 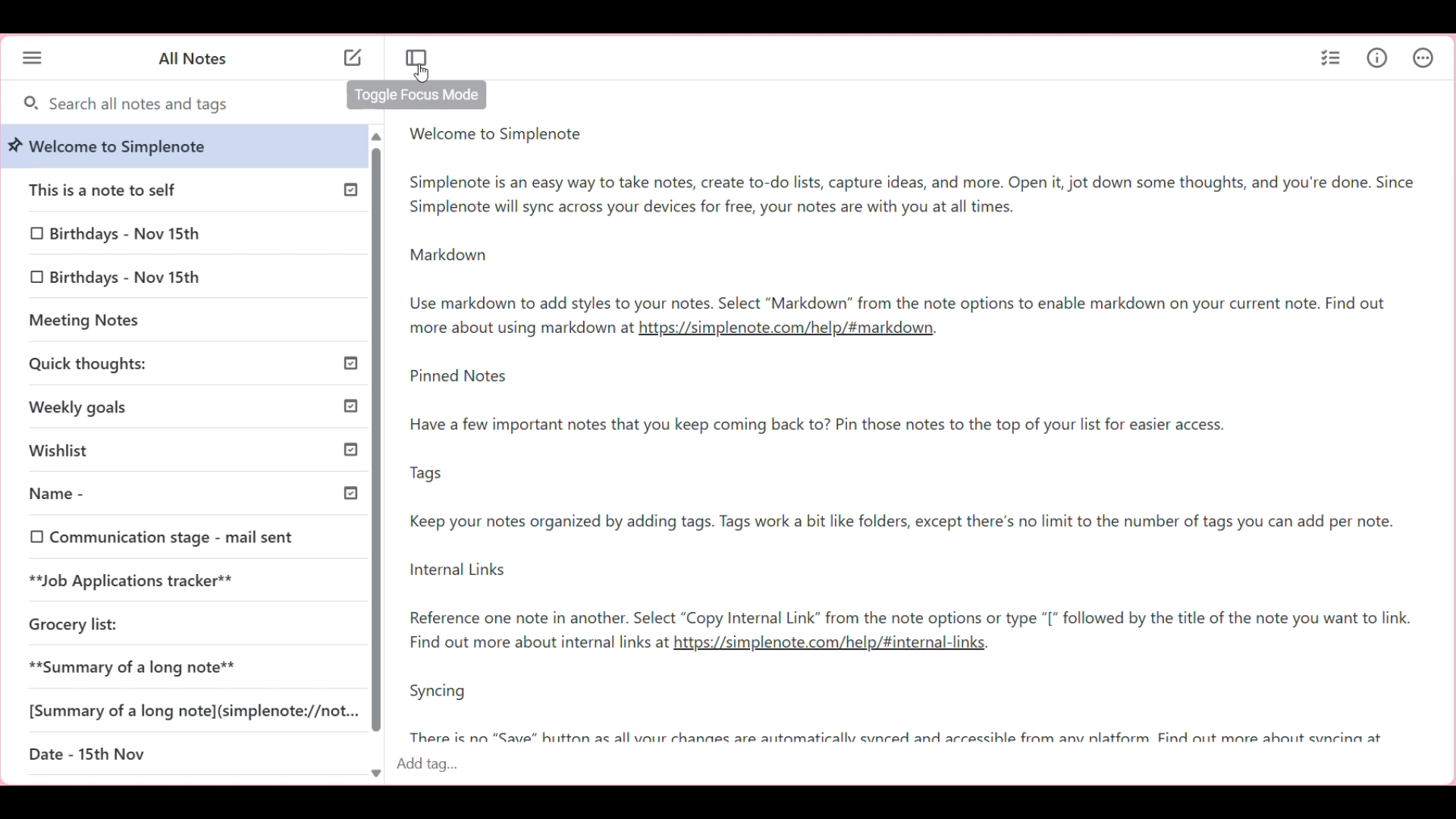 What do you see at coordinates (909, 496) in the screenshot?
I see `Pinned notes-note2` at bounding box center [909, 496].